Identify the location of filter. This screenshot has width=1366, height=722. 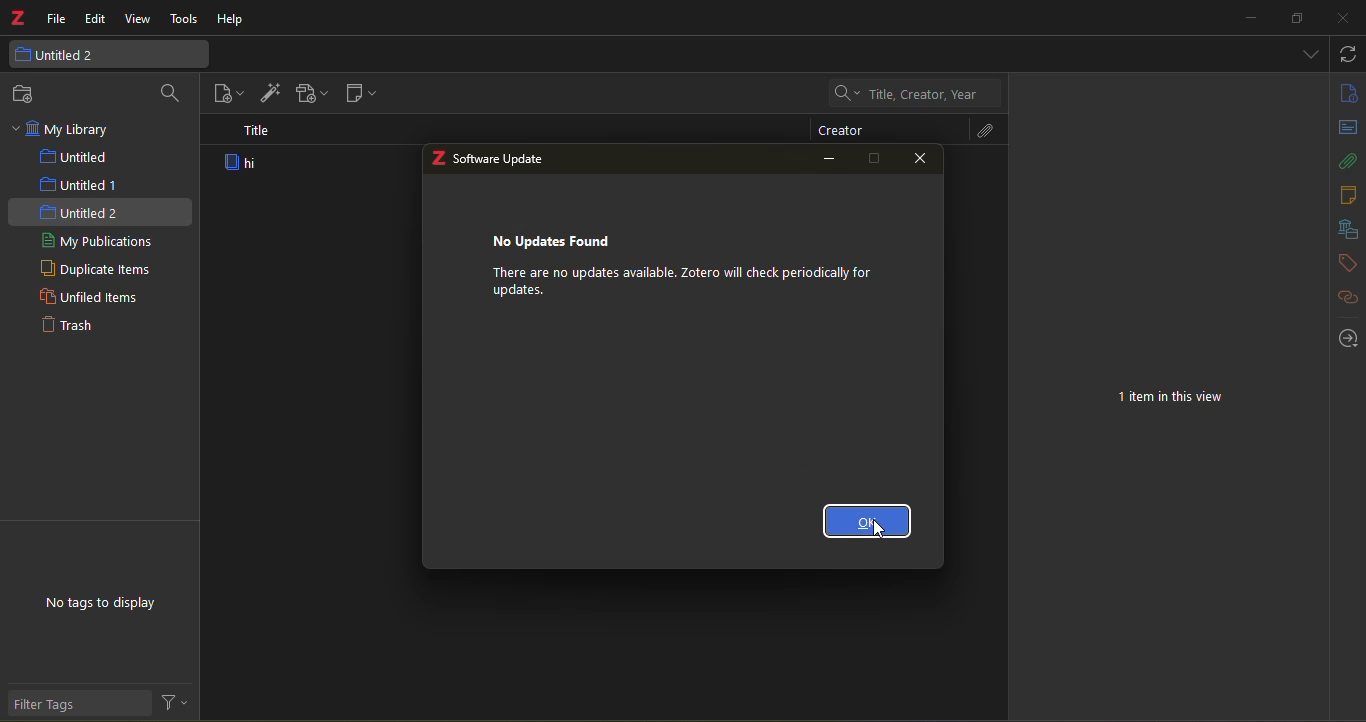
(174, 702).